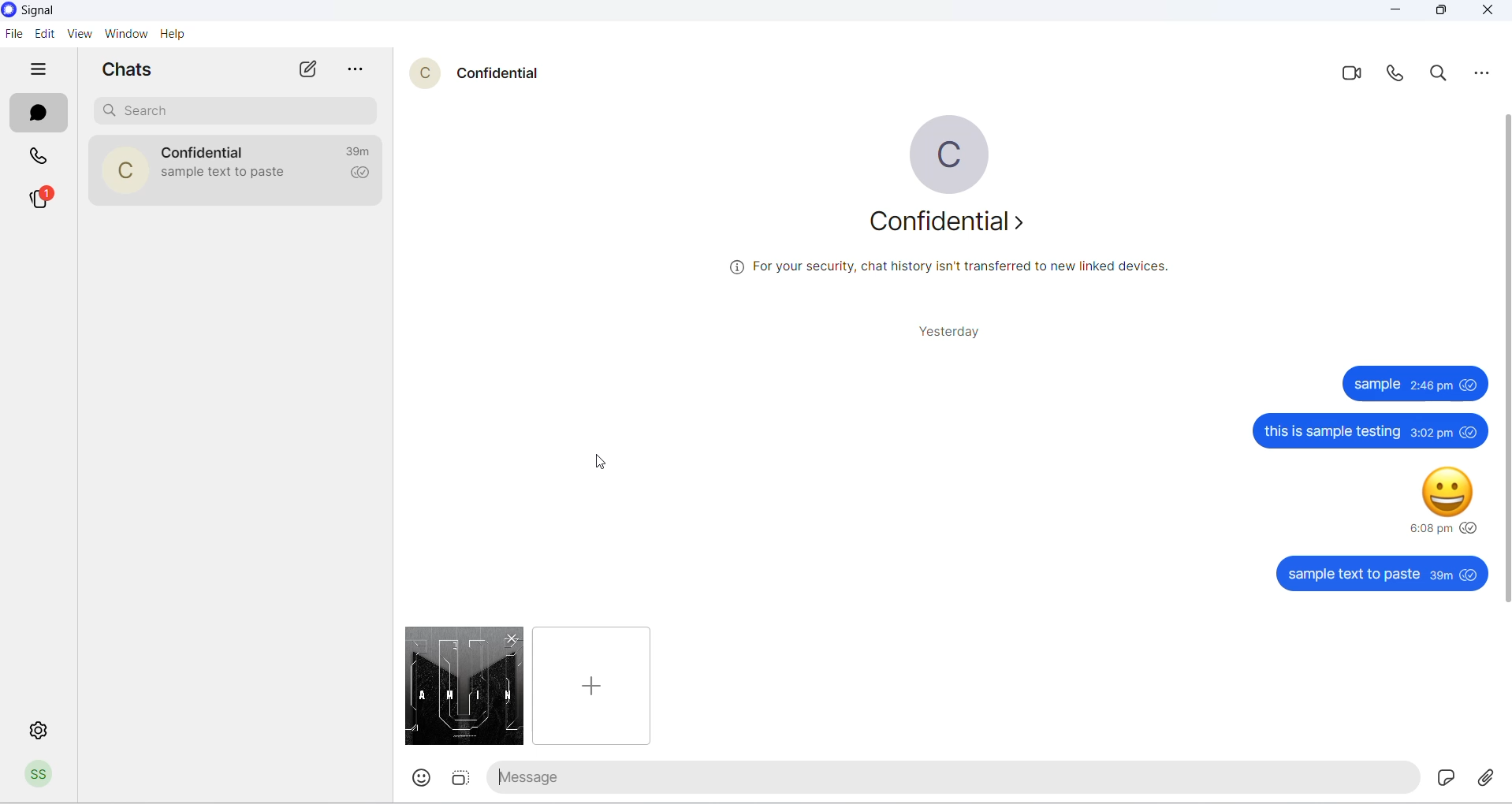  What do you see at coordinates (1472, 574) in the screenshot?
I see `seen` at bounding box center [1472, 574].